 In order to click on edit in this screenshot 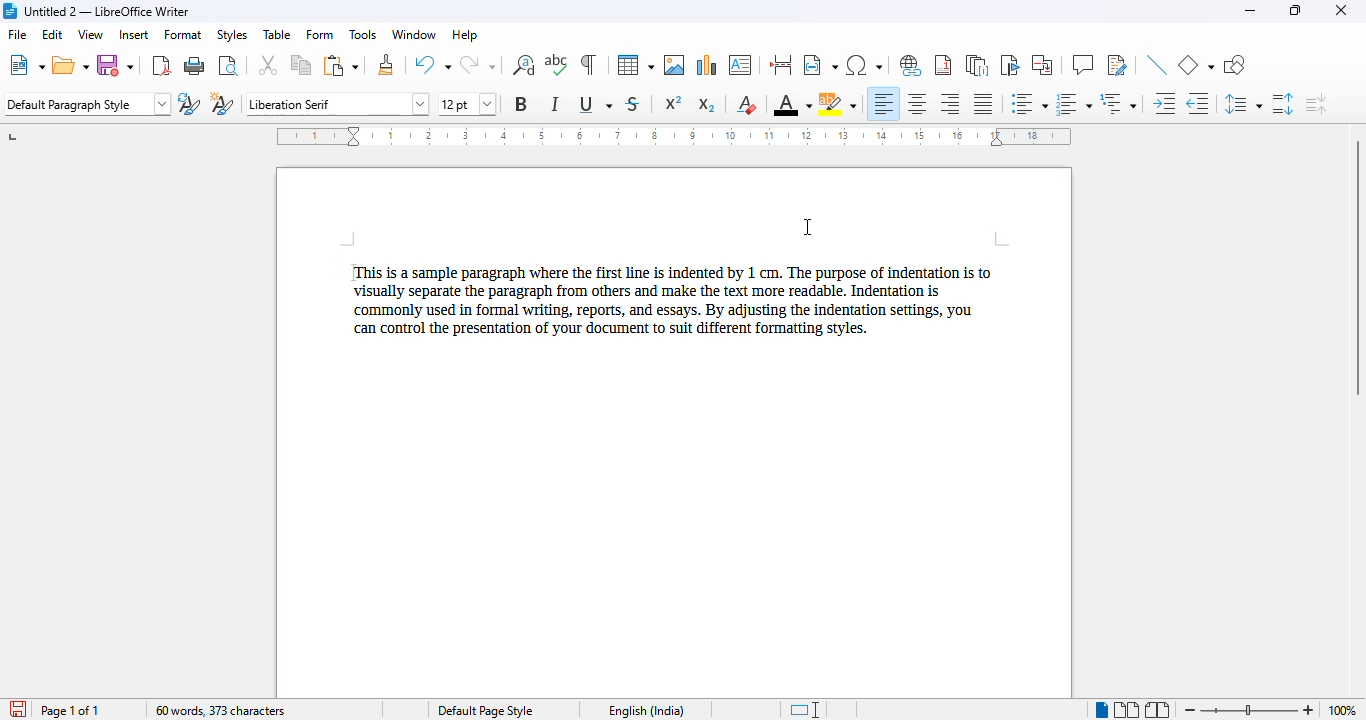, I will do `click(53, 34)`.